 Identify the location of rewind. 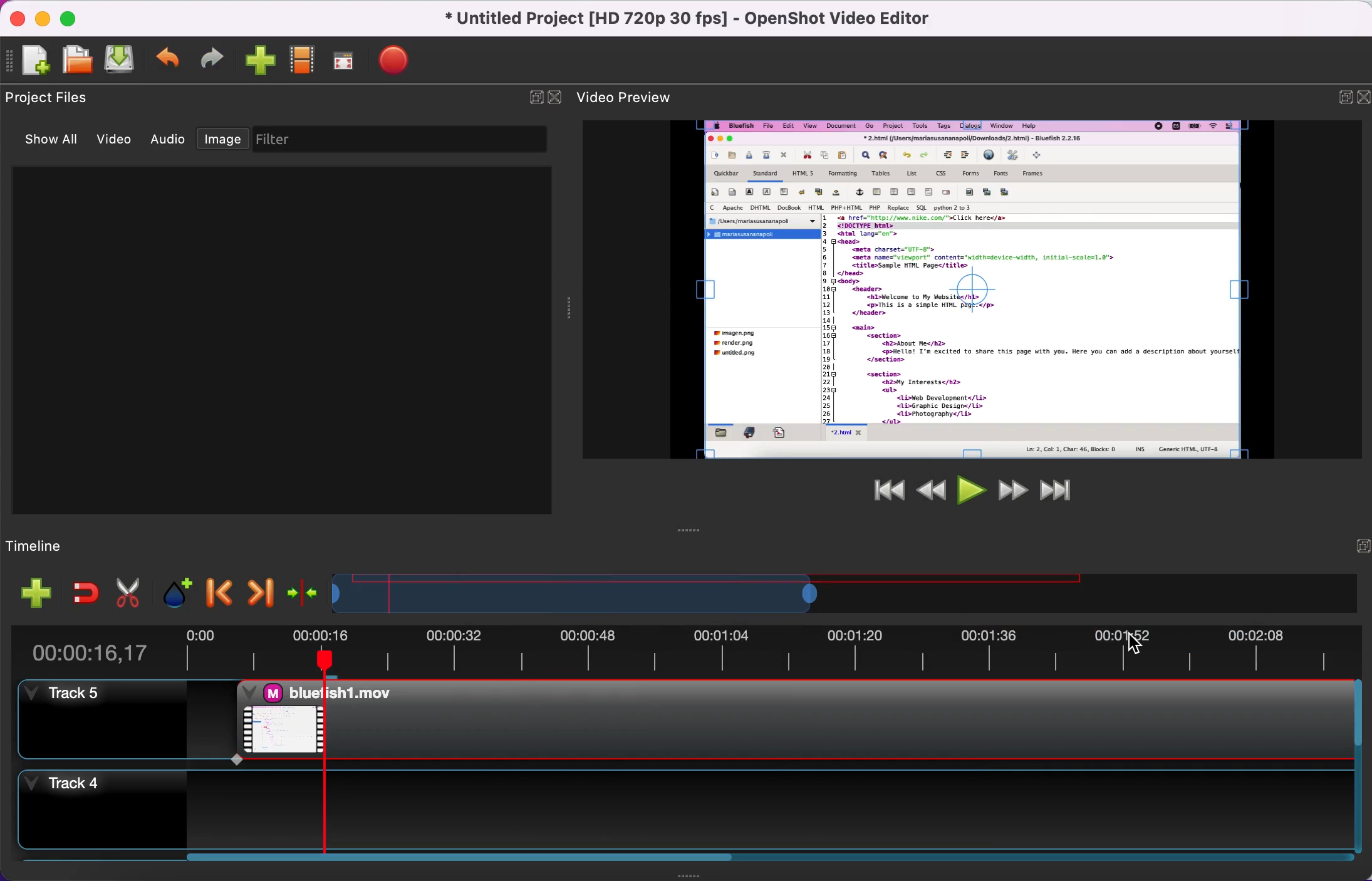
(930, 488).